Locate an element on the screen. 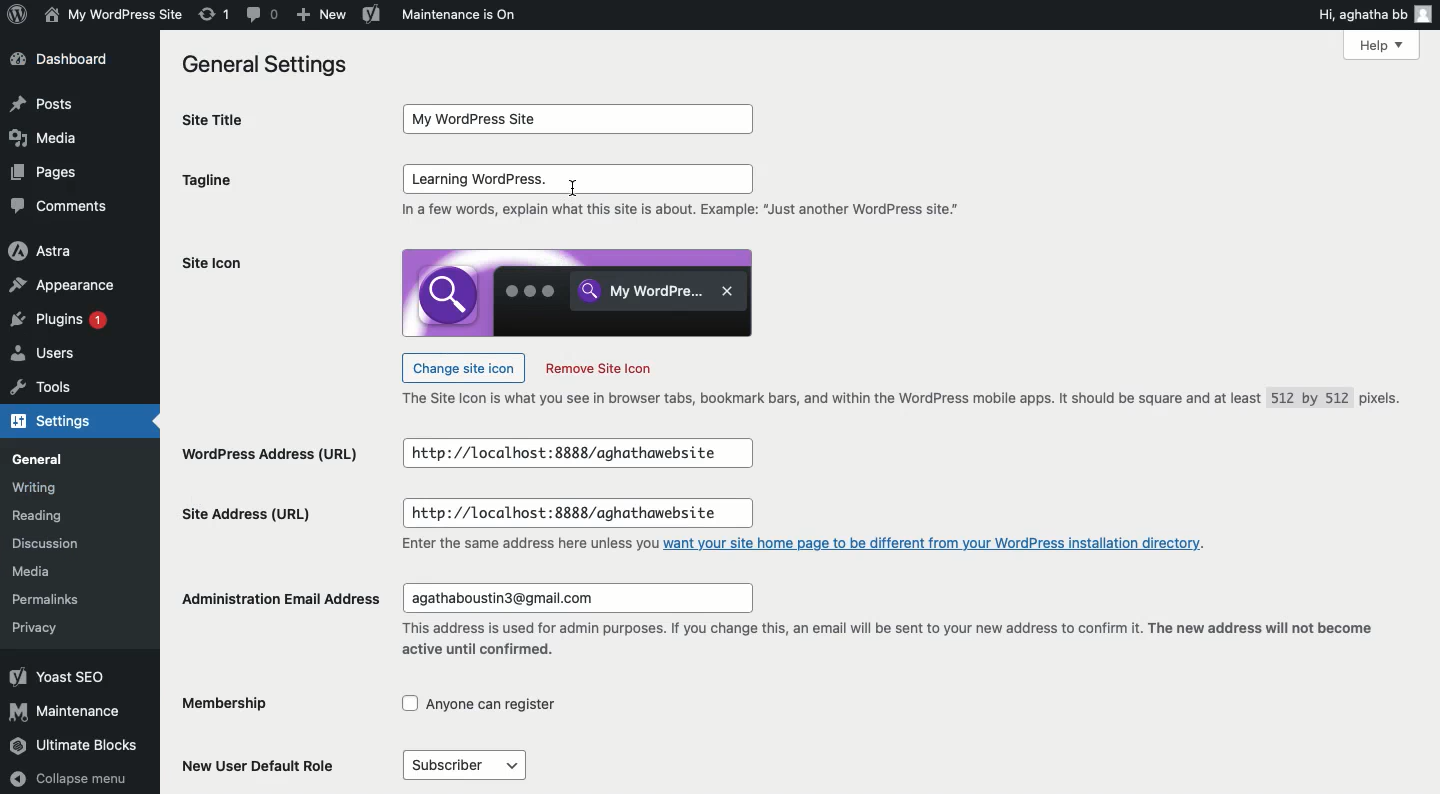 The width and height of the screenshot is (1440, 794). New user default role is located at coordinates (352, 764).